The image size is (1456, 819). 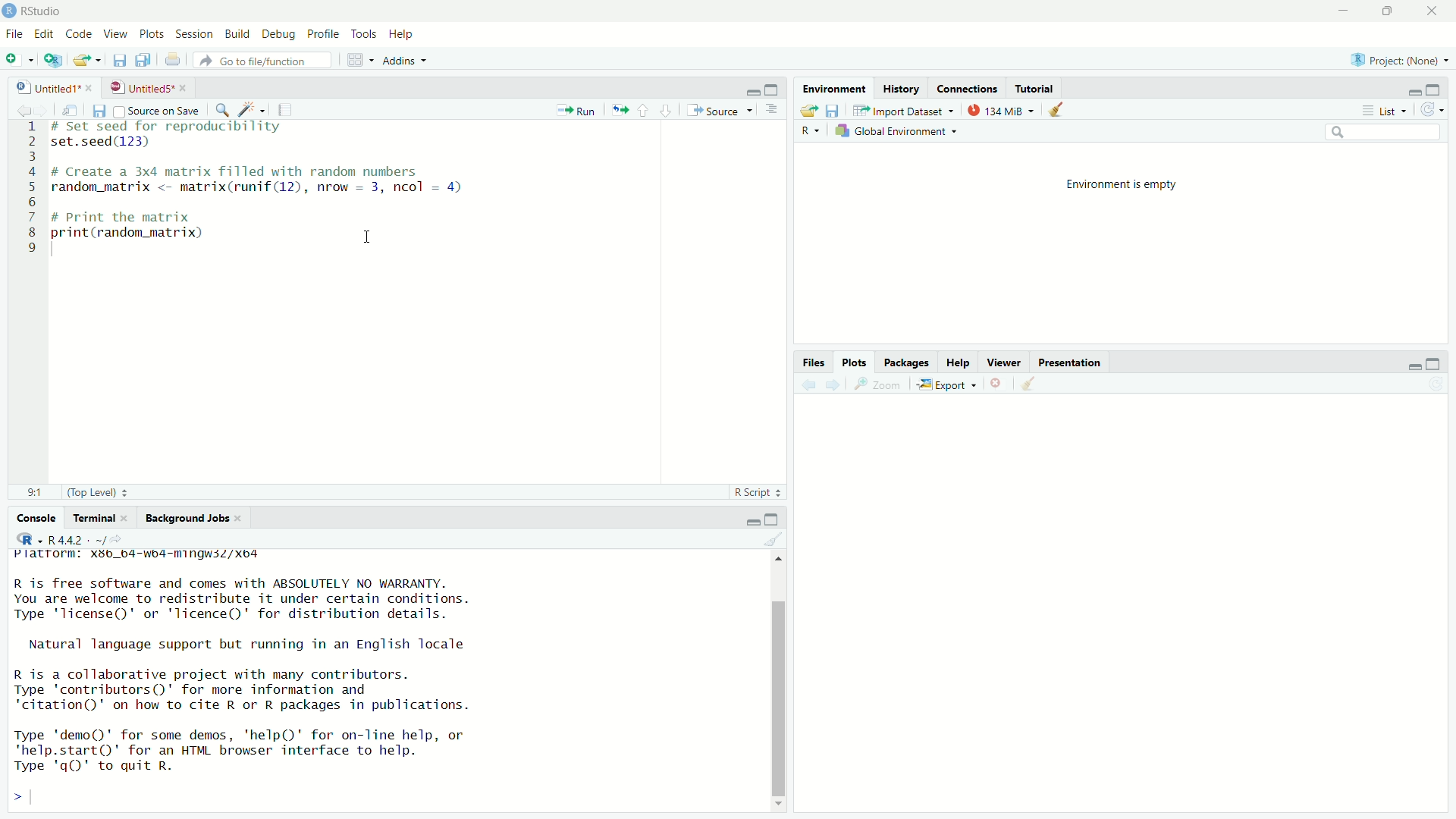 What do you see at coordinates (45, 36) in the screenshot?
I see `Edit` at bounding box center [45, 36].